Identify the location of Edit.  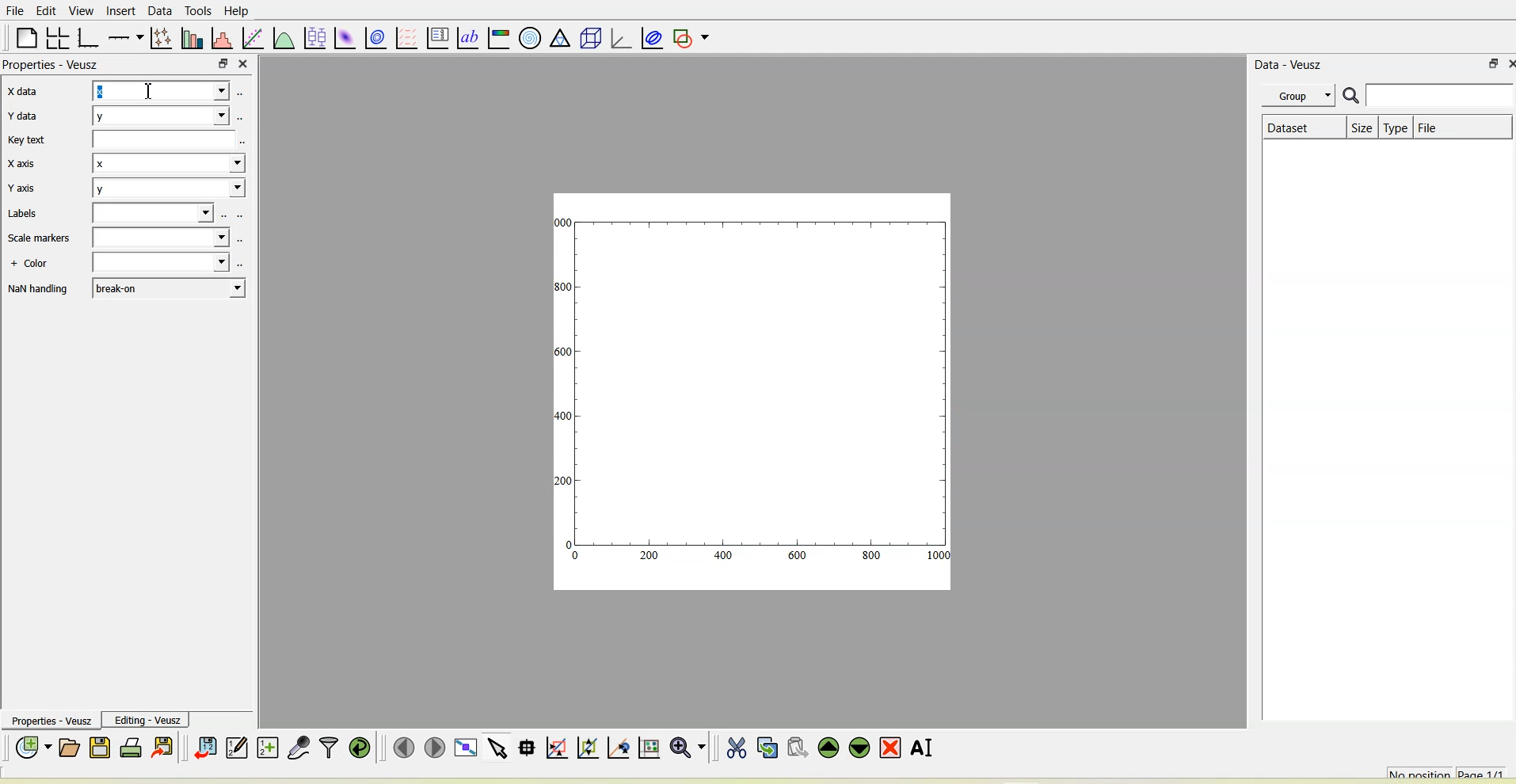
(47, 12).